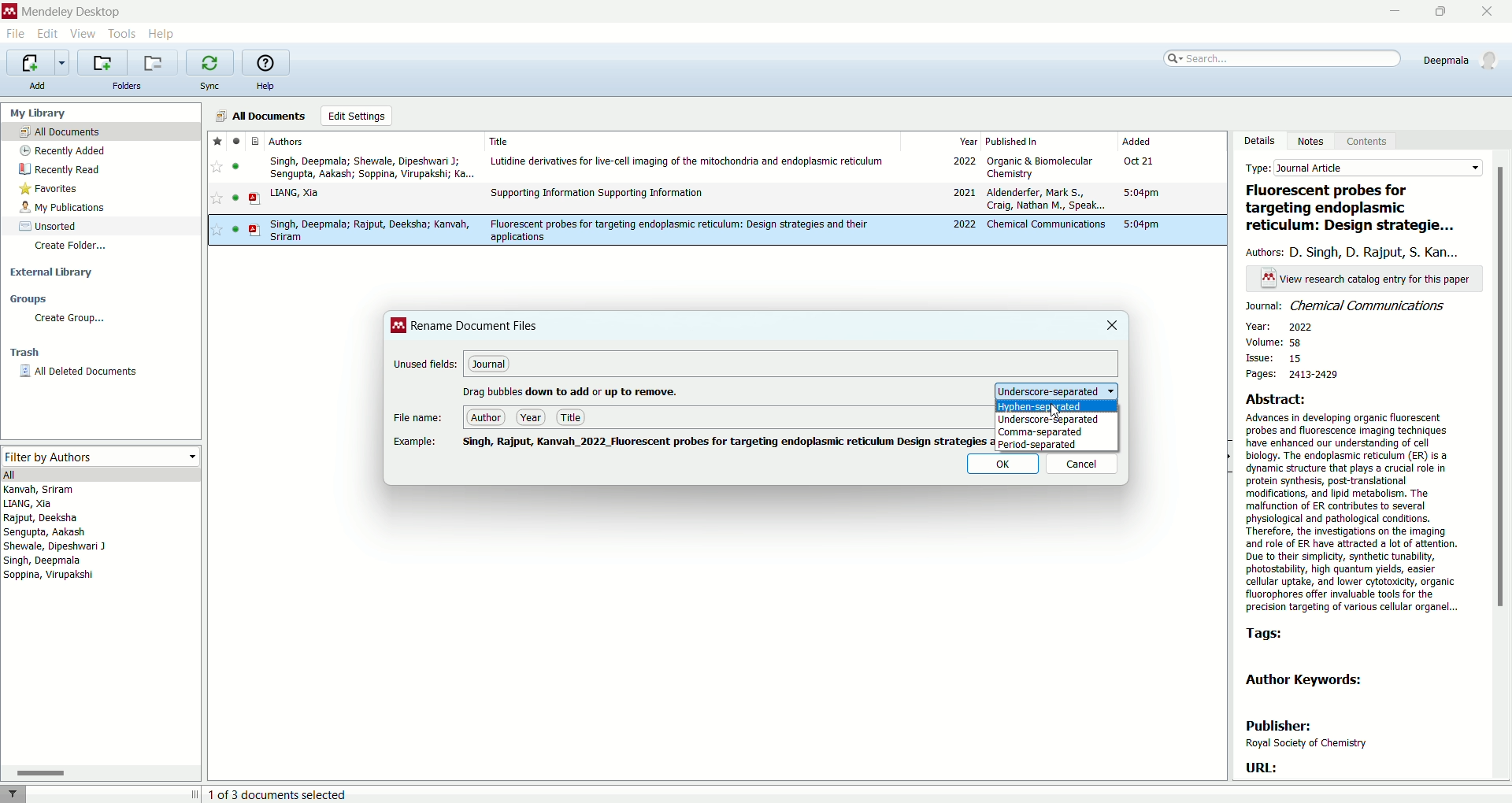 The height and width of the screenshot is (803, 1512). Describe the element at coordinates (1314, 142) in the screenshot. I see `notes` at that location.